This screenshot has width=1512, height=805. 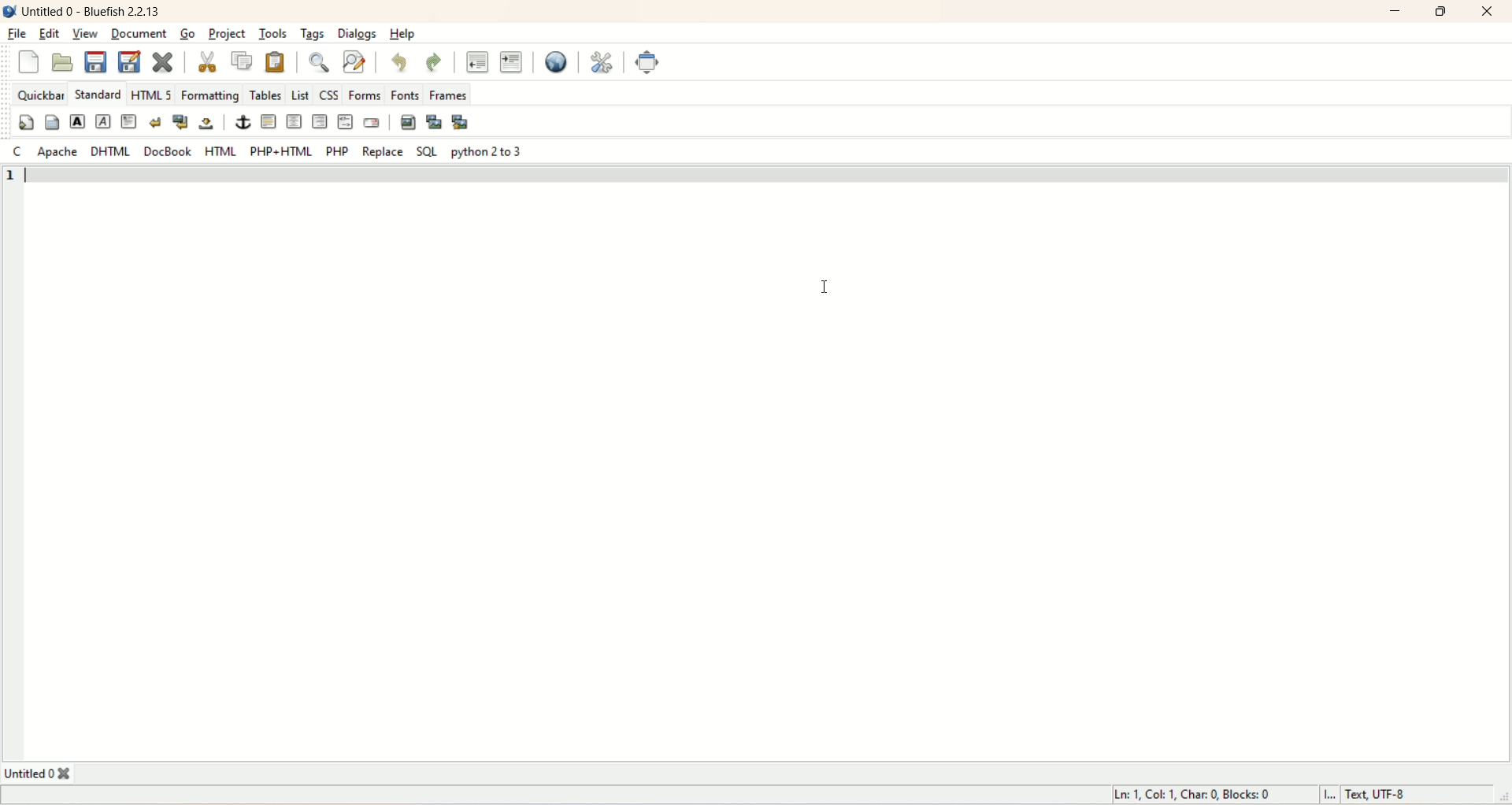 I want to click on body, so click(x=50, y=124).